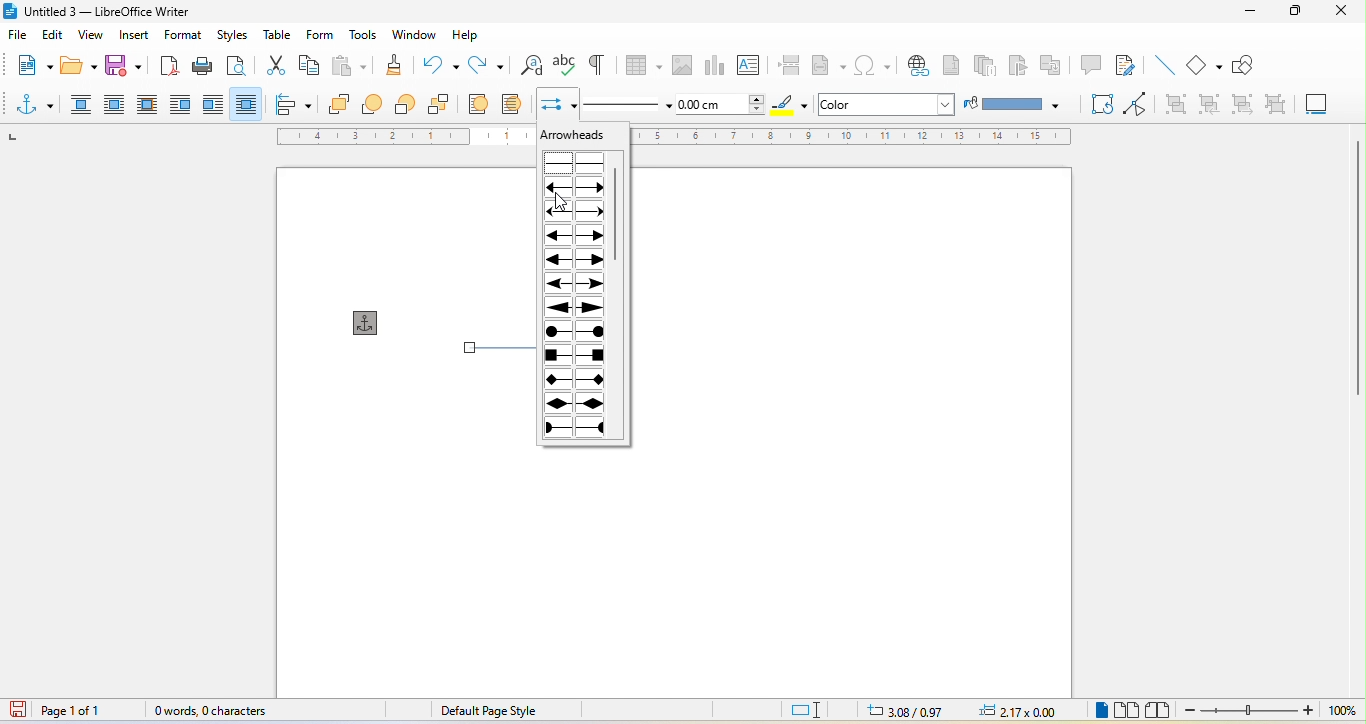  Describe the element at coordinates (470, 35) in the screenshot. I see `help` at that location.